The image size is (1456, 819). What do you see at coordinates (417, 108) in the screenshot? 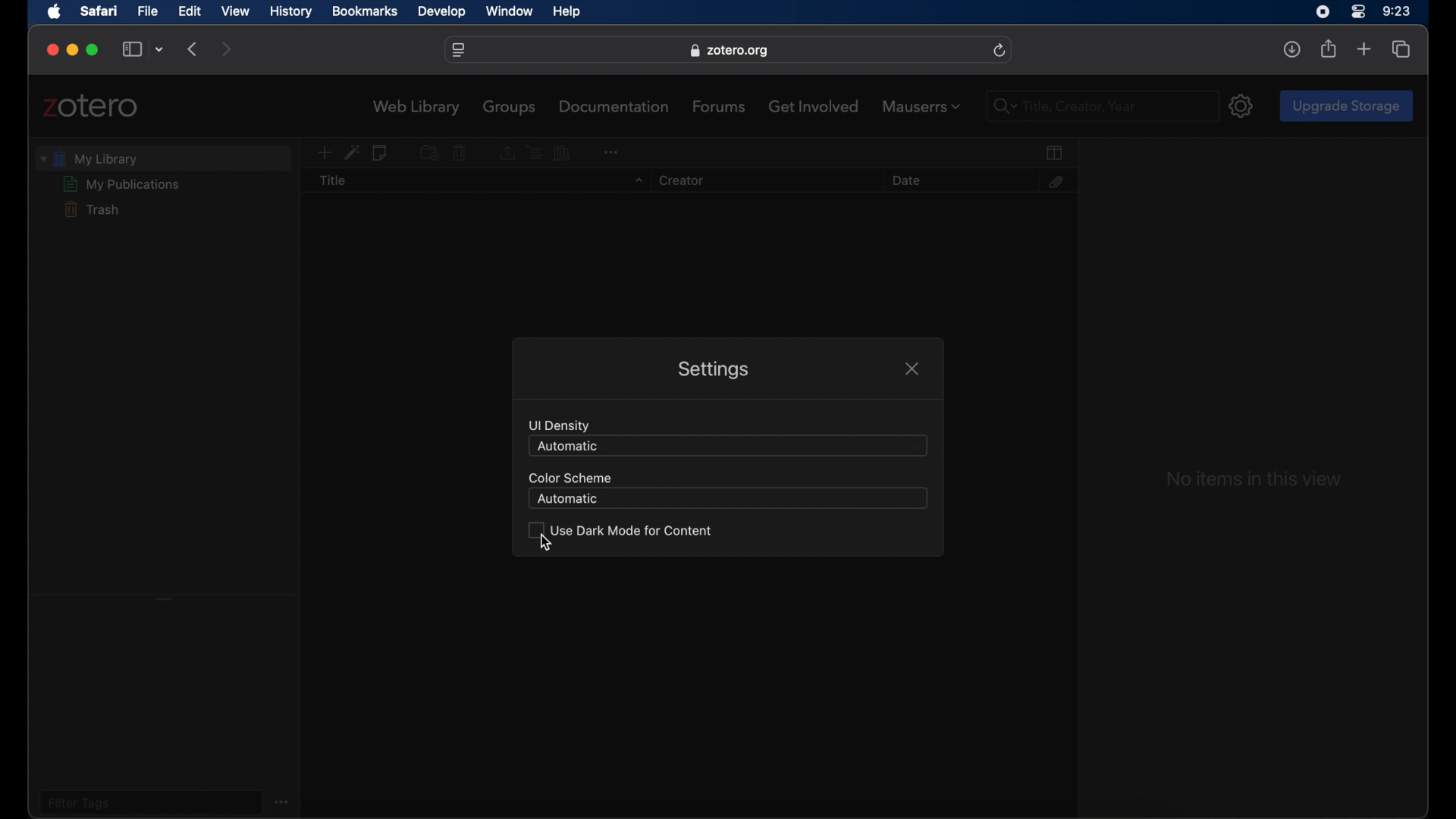
I see `web library` at bounding box center [417, 108].